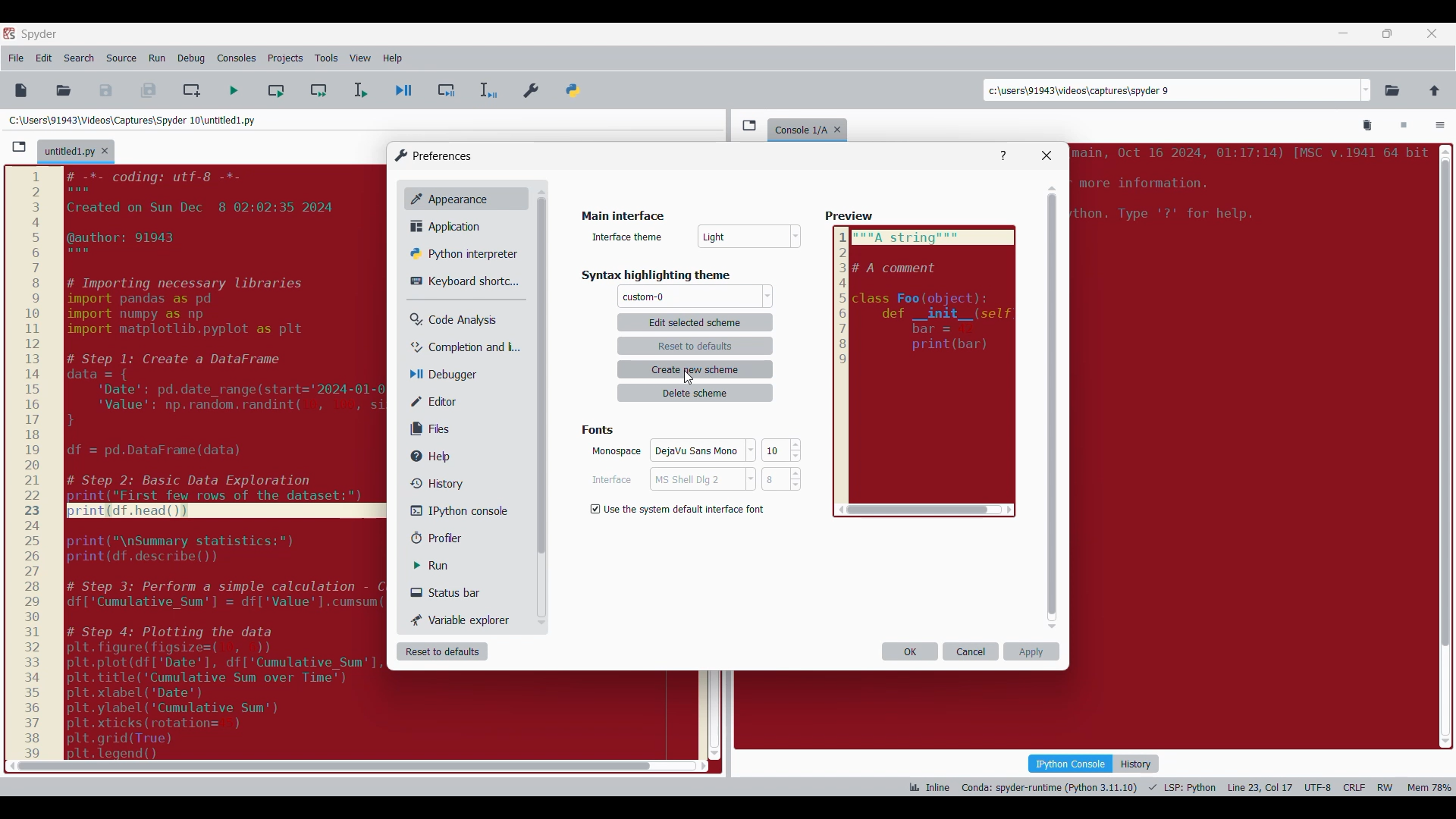 Image resolution: width=1456 pixels, height=819 pixels. What do you see at coordinates (148, 90) in the screenshot?
I see `Save all files` at bounding box center [148, 90].